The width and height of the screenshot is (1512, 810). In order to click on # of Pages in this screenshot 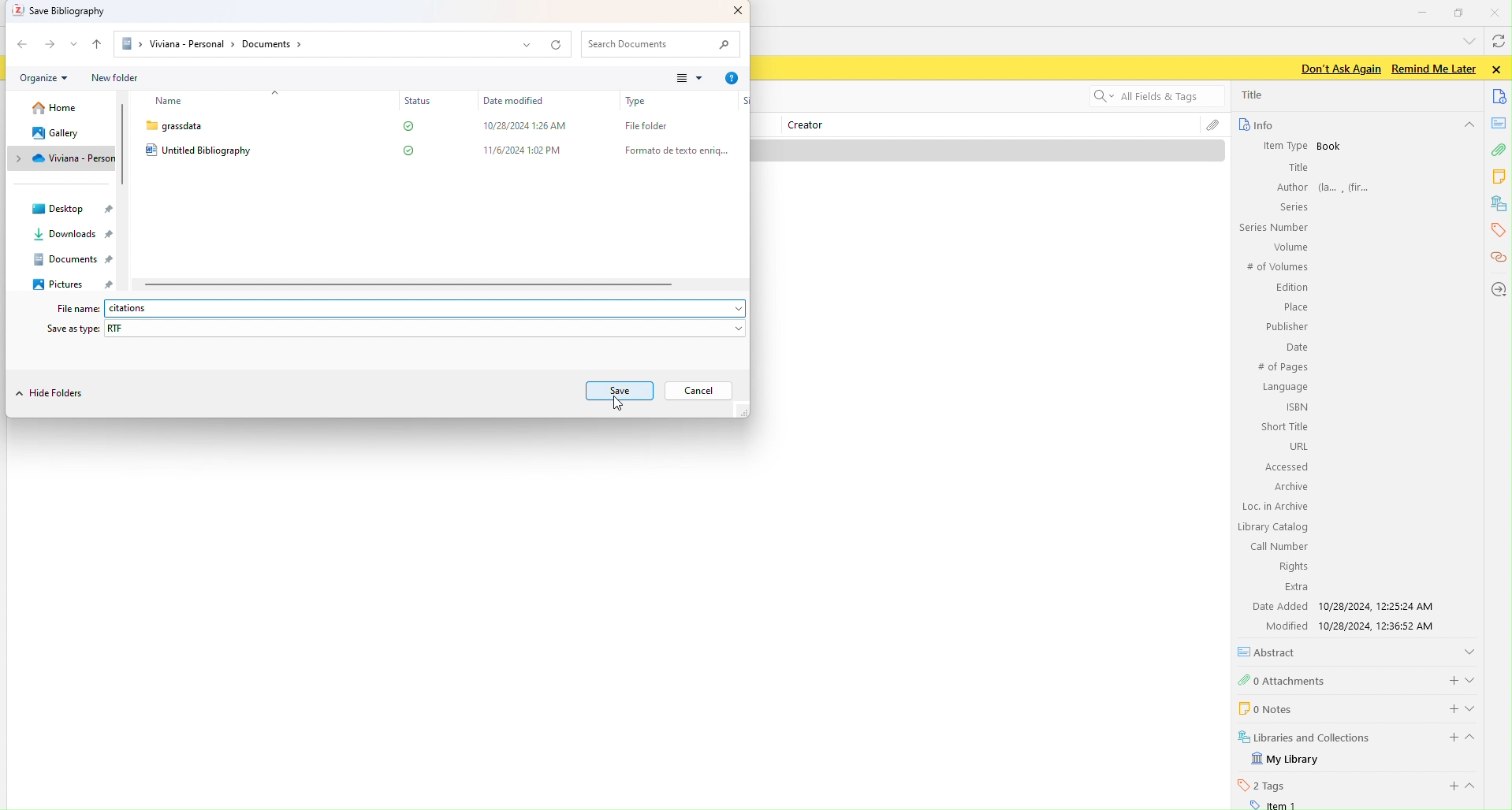, I will do `click(1282, 368)`.